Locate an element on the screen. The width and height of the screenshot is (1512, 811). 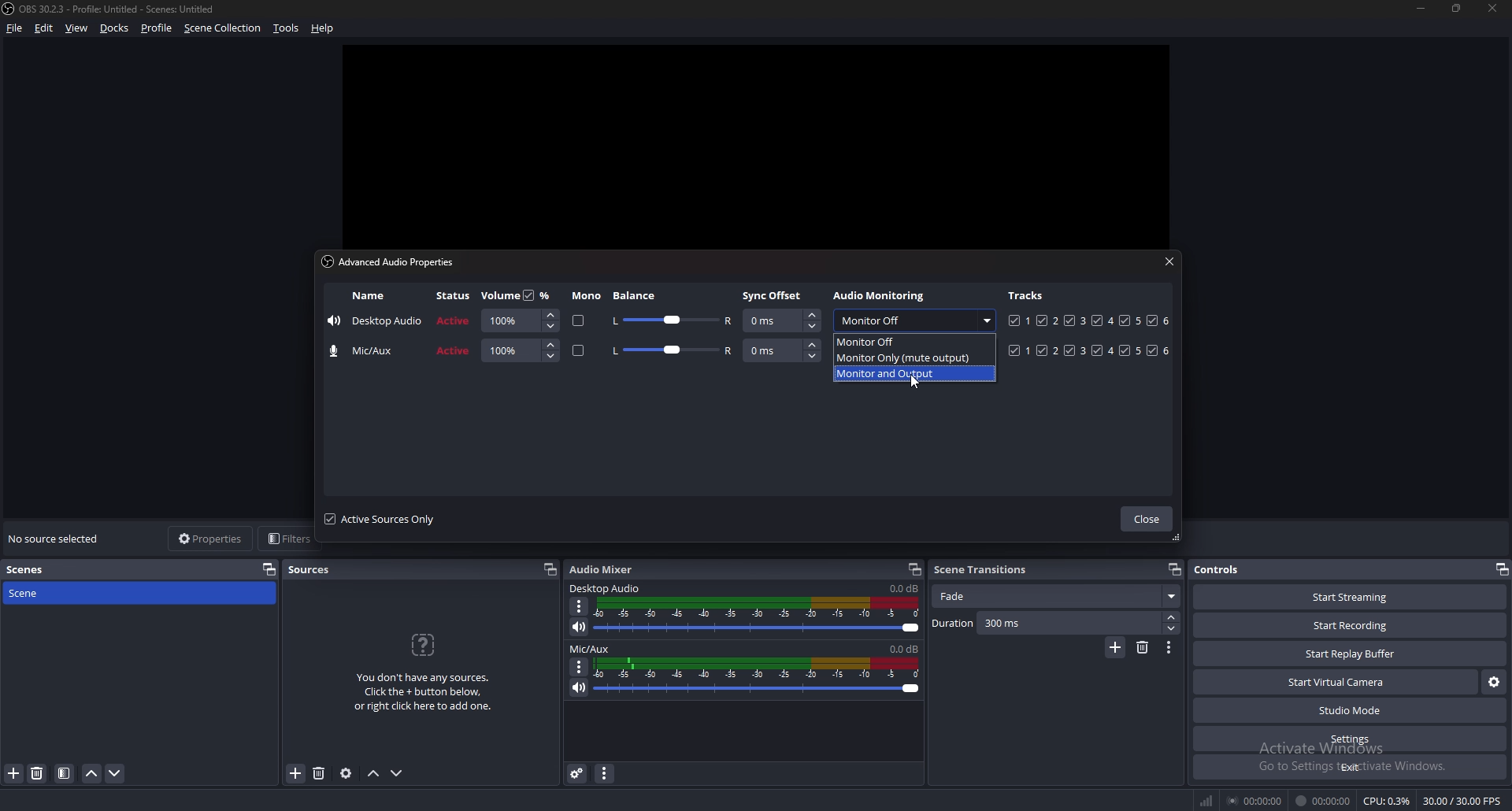
move scene down is located at coordinates (115, 772).